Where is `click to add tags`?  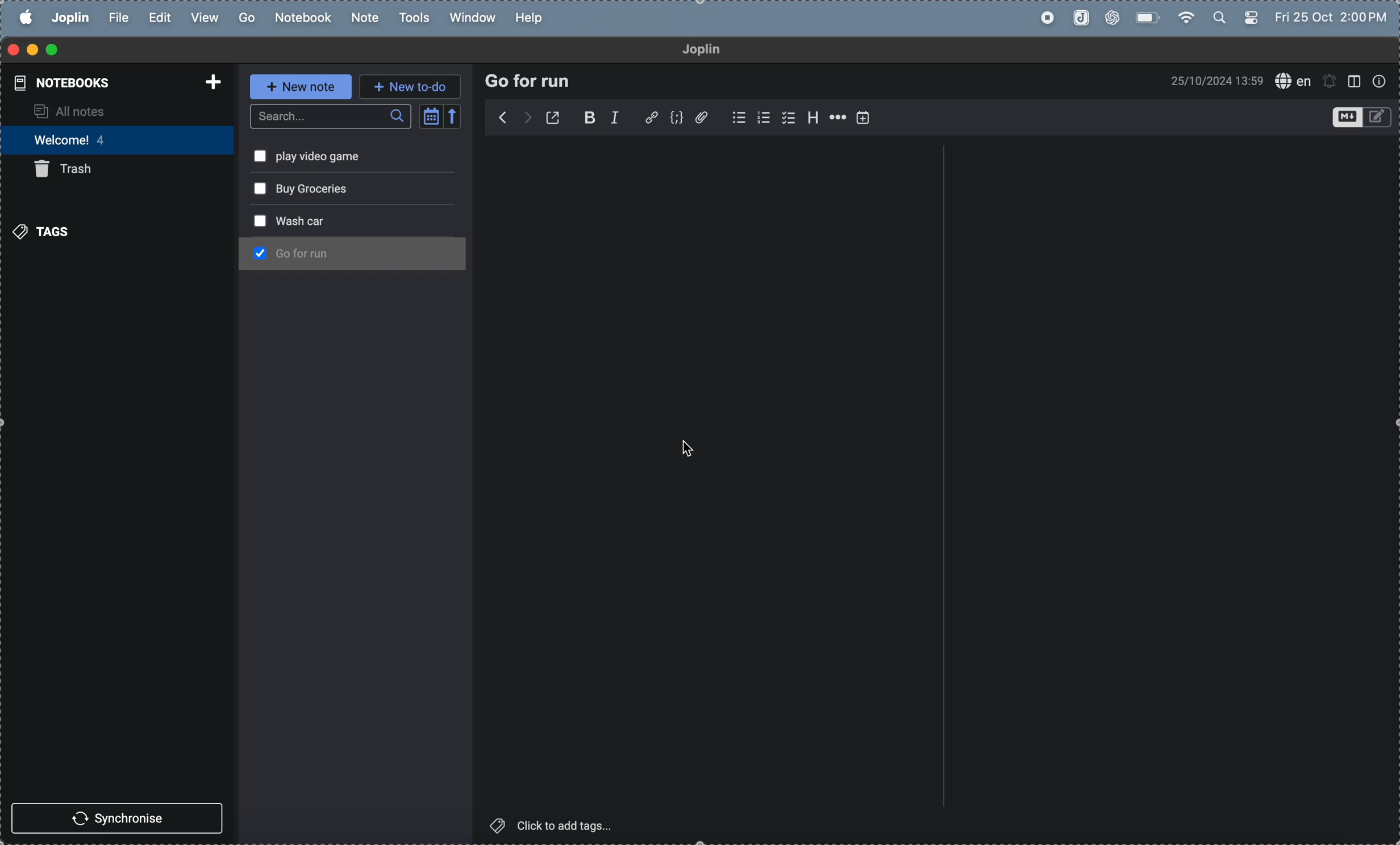 click to add tags is located at coordinates (565, 829).